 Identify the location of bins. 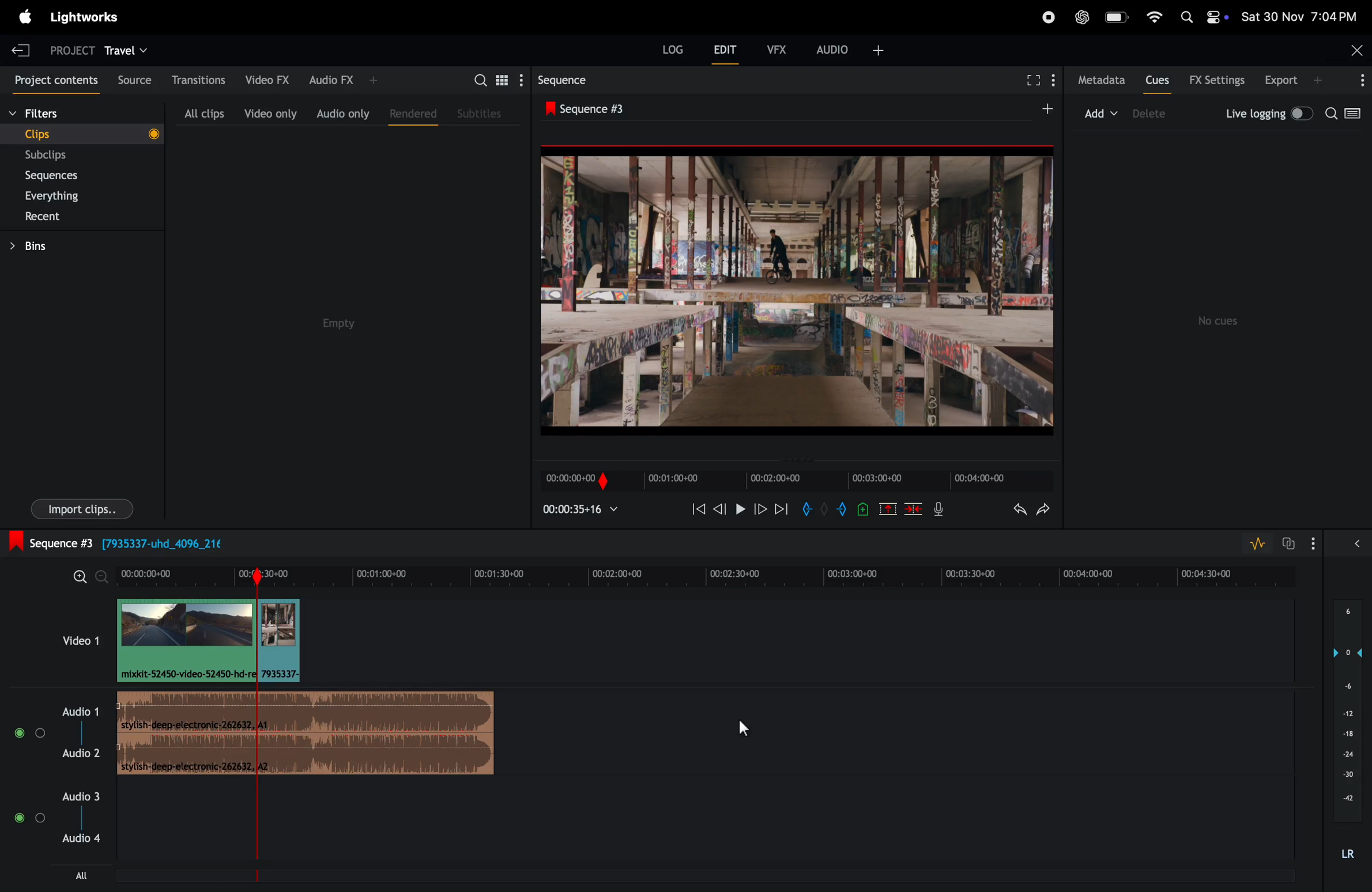
(47, 245).